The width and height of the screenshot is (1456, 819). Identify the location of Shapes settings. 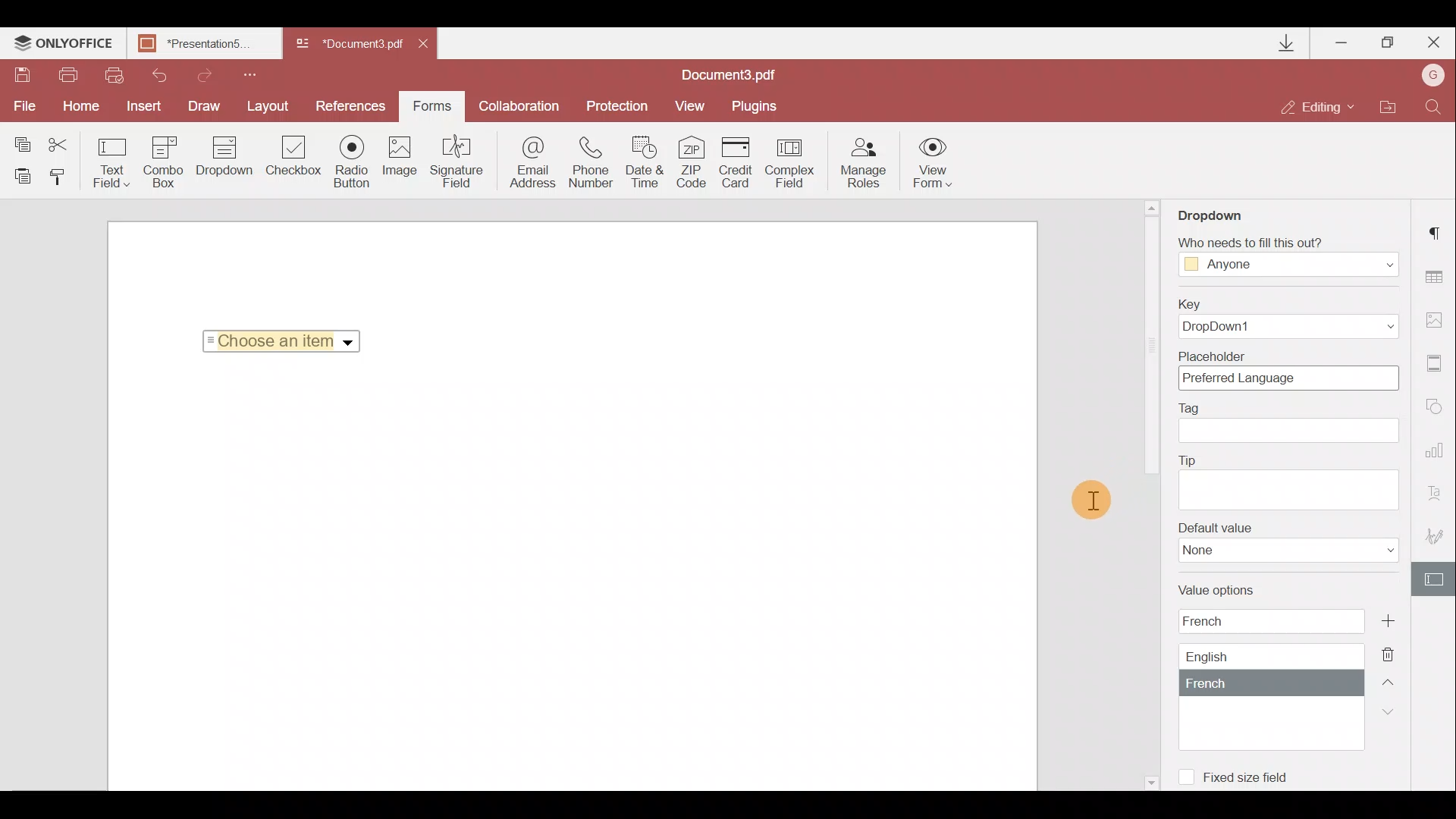
(1437, 409).